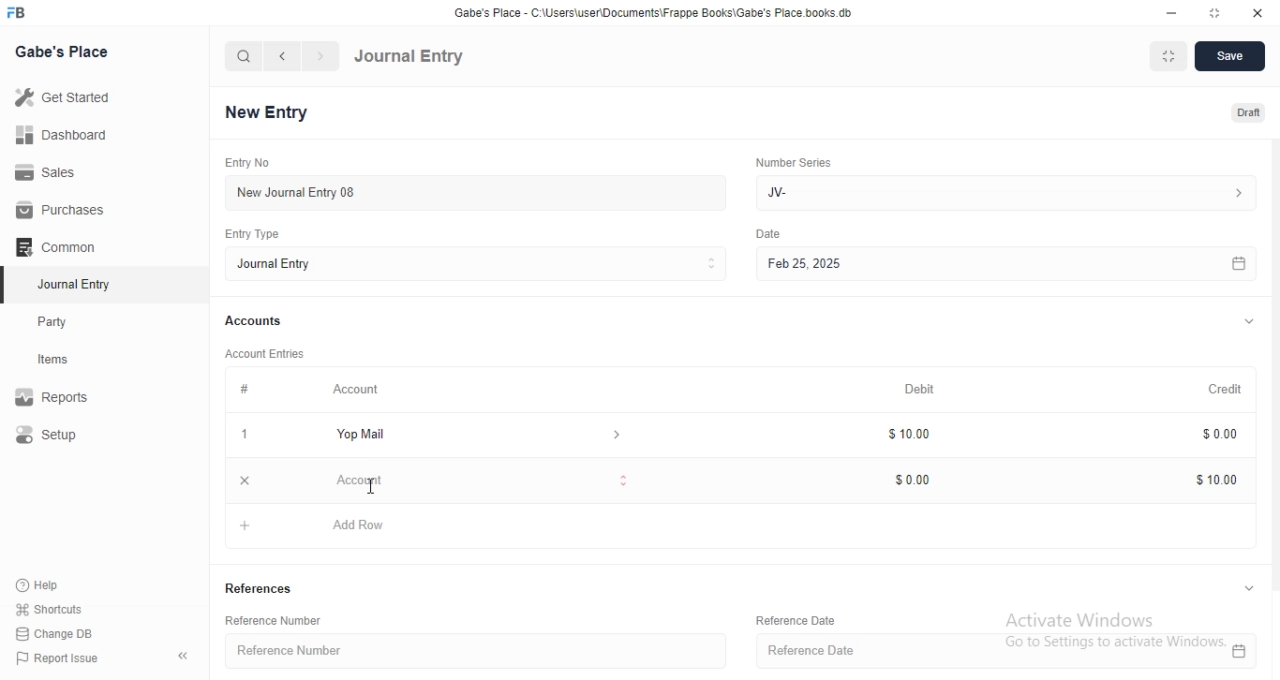 The width and height of the screenshot is (1280, 680). What do you see at coordinates (1210, 434) in the screenshot?
I see `$0.00` at bounding box center [1210, 434].